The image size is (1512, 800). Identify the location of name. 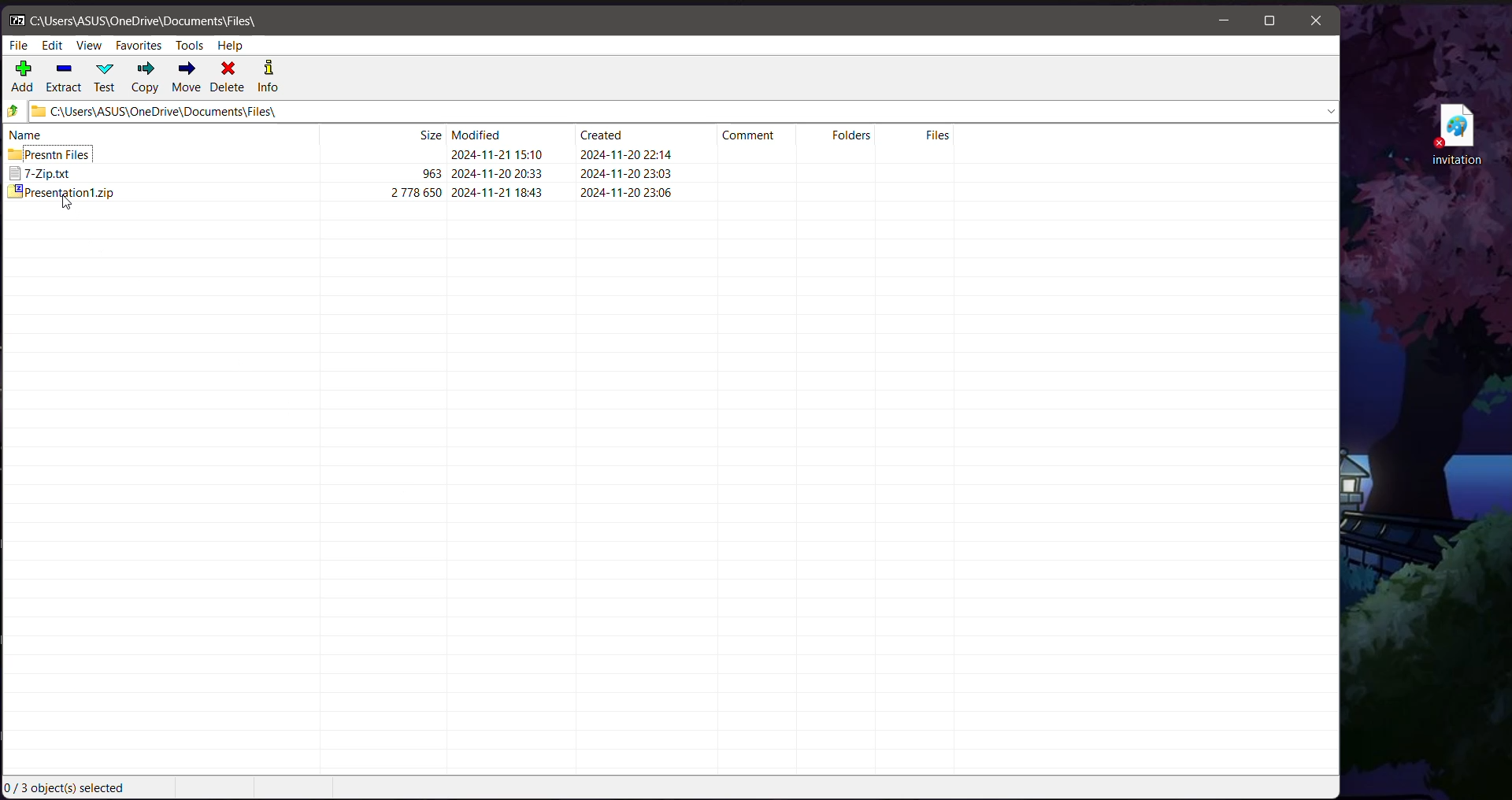
(26, 134).